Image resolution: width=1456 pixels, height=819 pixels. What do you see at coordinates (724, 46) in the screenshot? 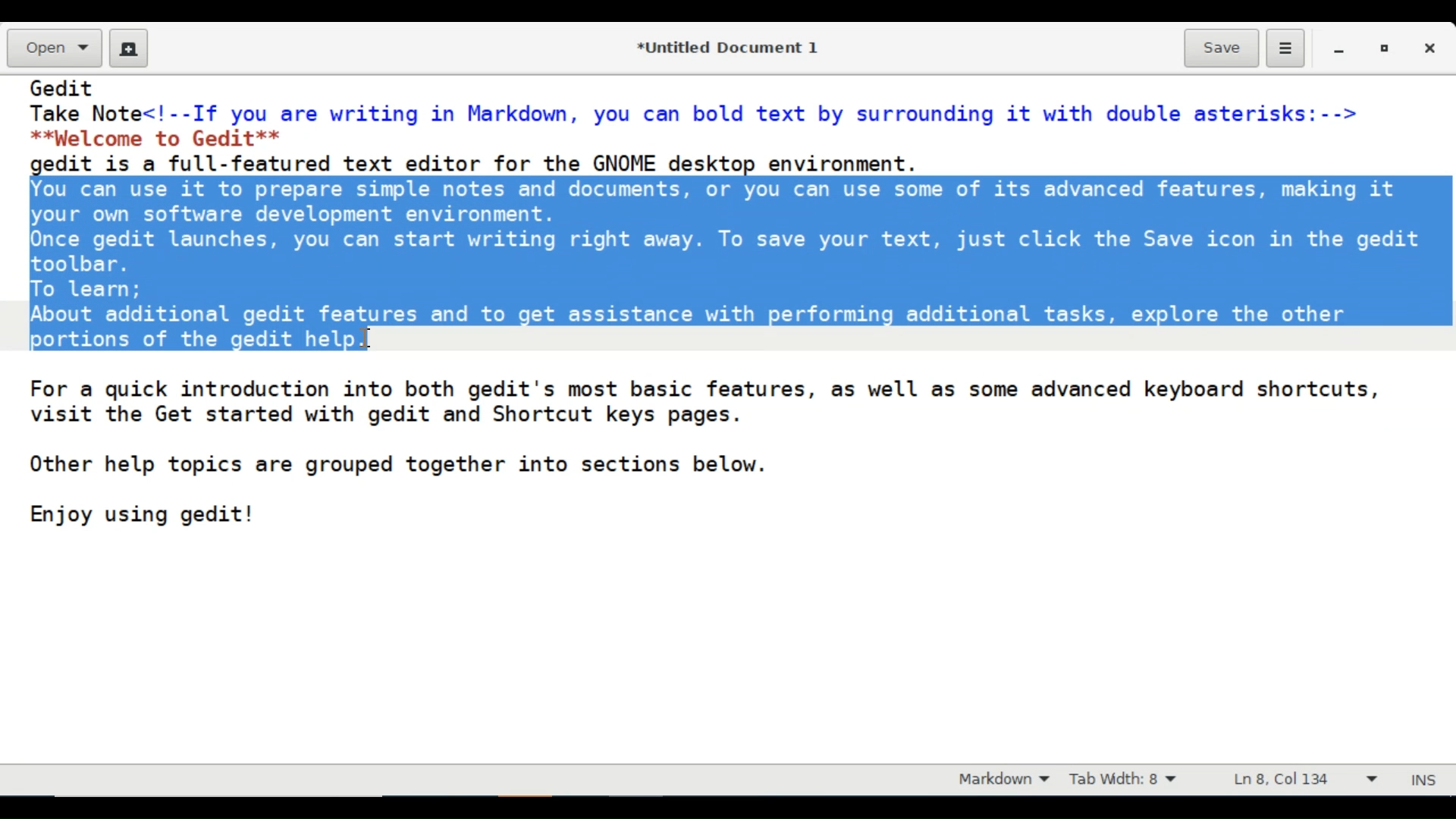
I see `Untitled  document` at bounding box center [724, 46].